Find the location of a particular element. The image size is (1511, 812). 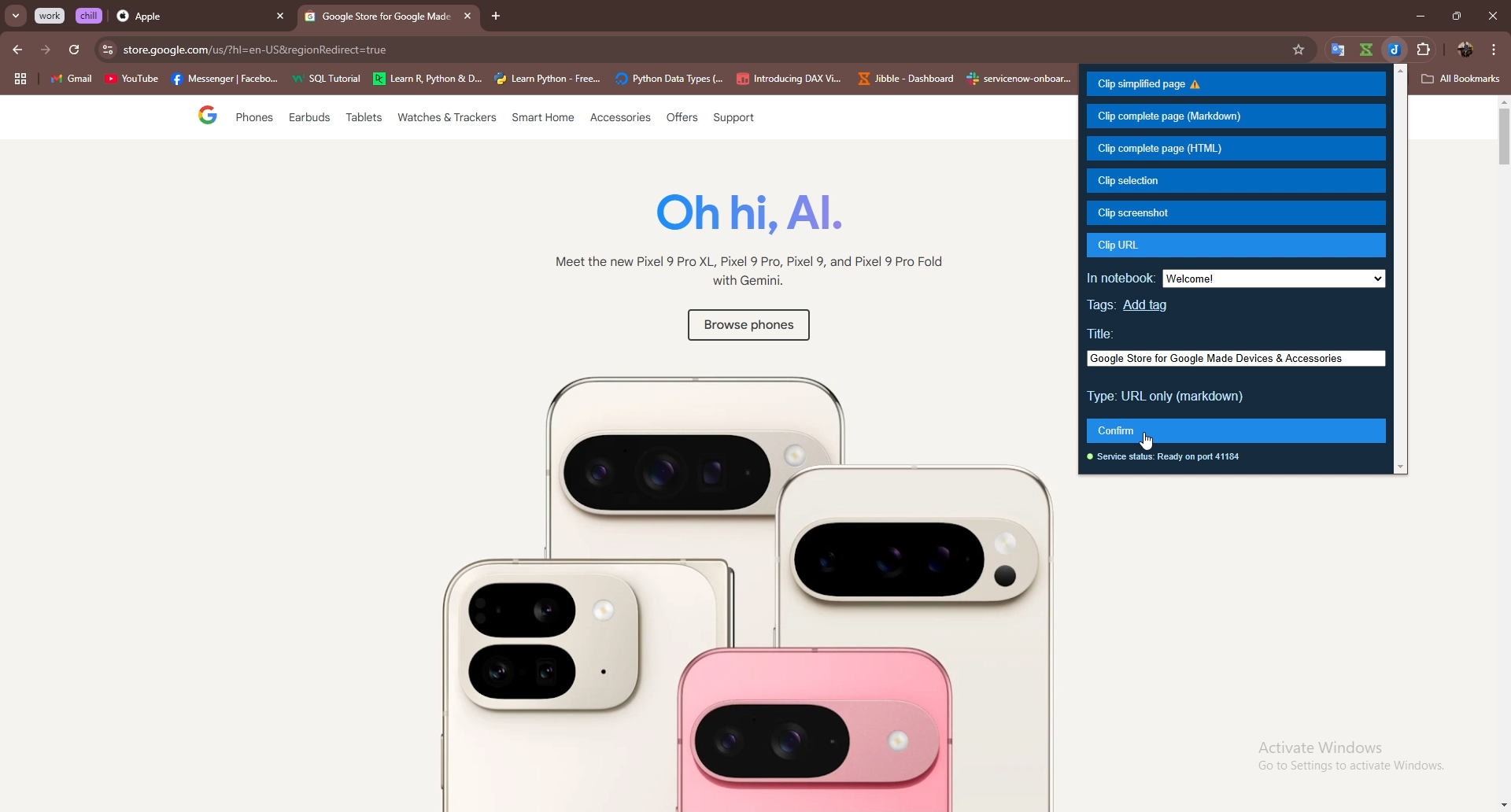

chill is located at coordinates (91, 15).